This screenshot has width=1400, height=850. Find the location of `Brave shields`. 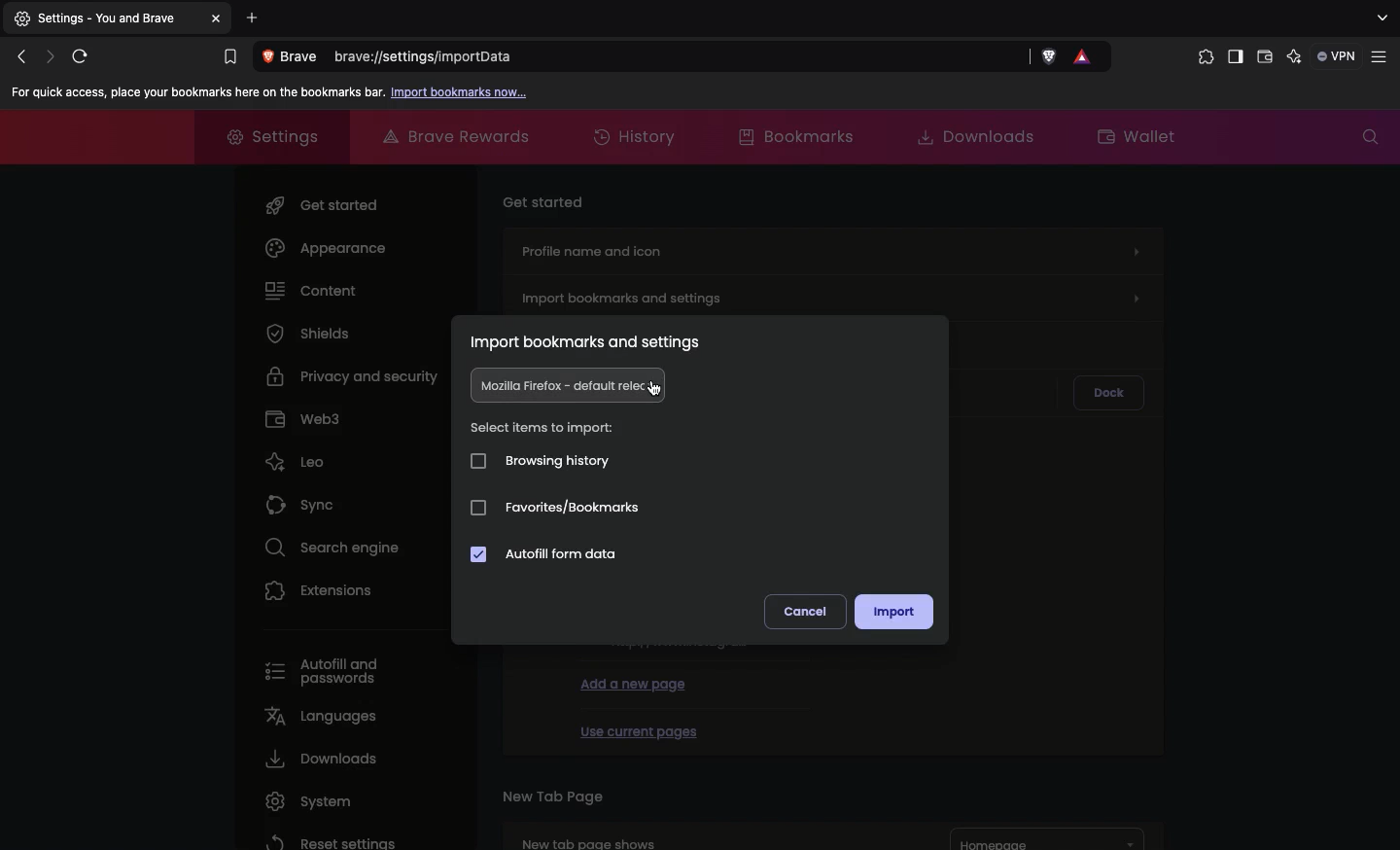

Brave shields is located at coordinates (1050, 57).